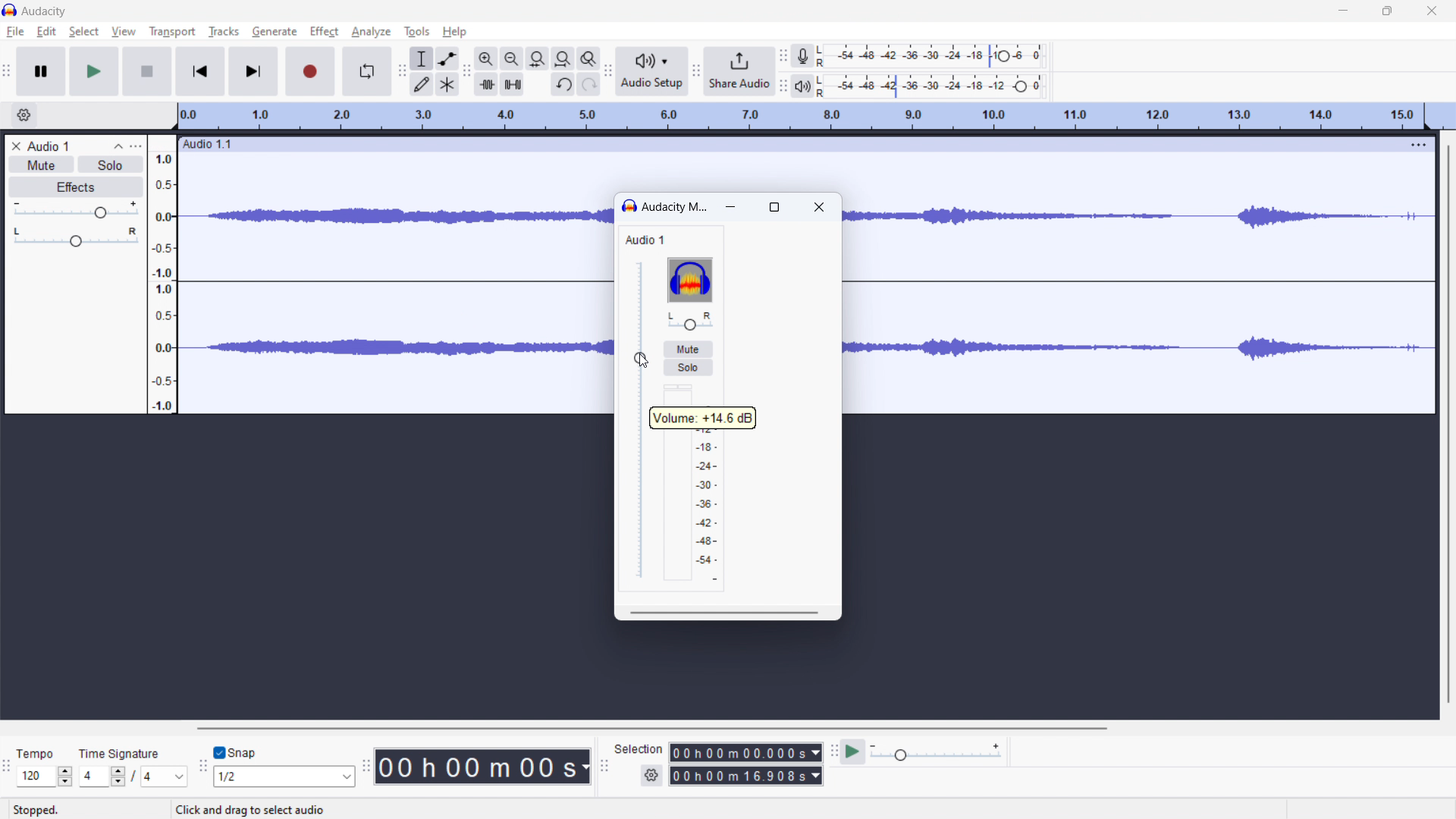  Describe the element at coordinates (639, 752) in the screenshot. I see `selection` at that location.